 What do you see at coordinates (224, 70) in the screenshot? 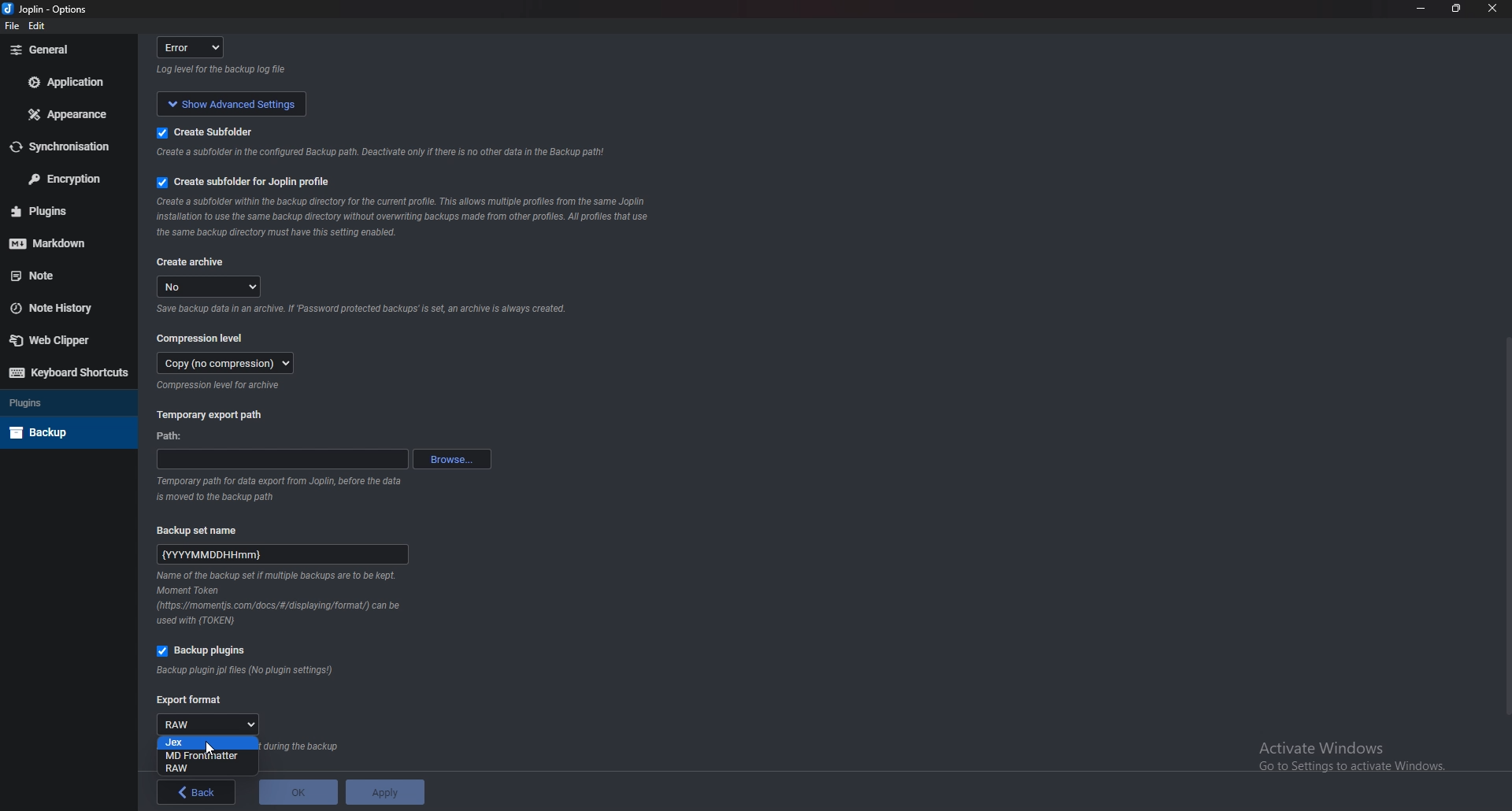
I see `info` at bounding box center [224, 70].